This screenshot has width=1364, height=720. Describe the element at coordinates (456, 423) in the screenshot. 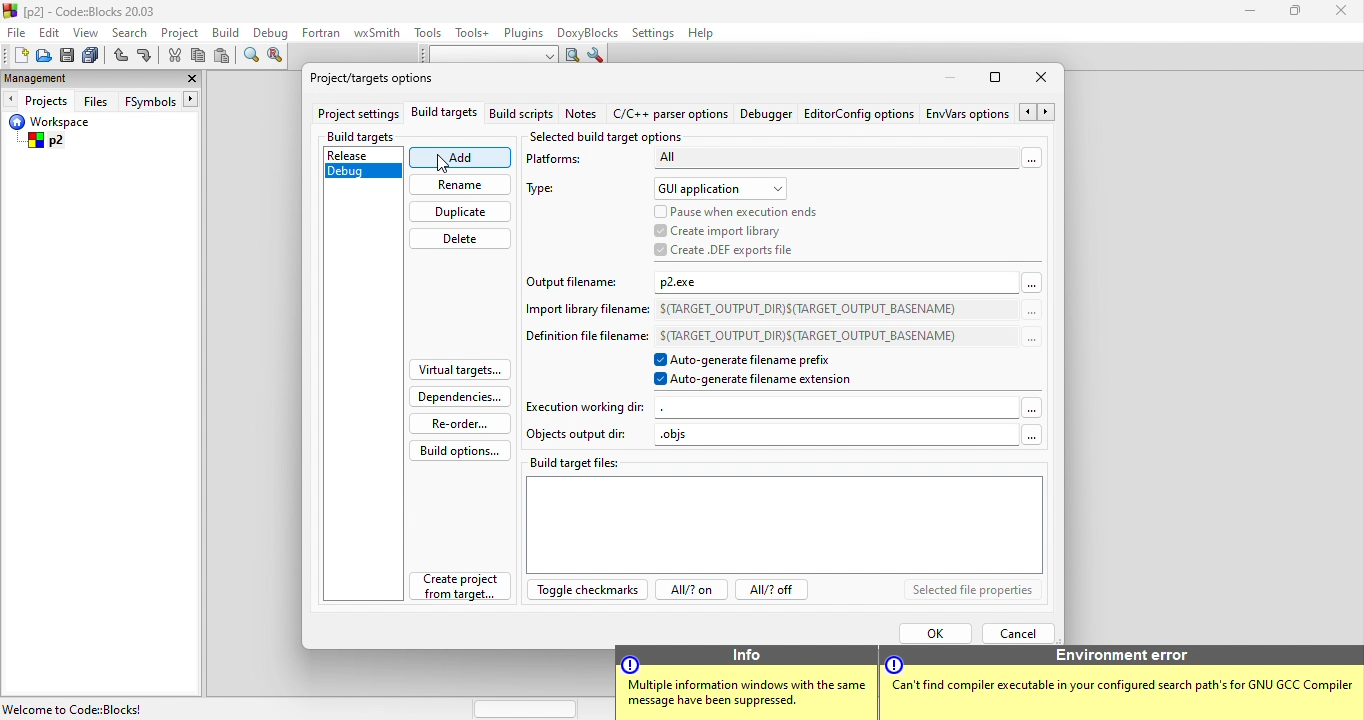

I see `re order` at that location.